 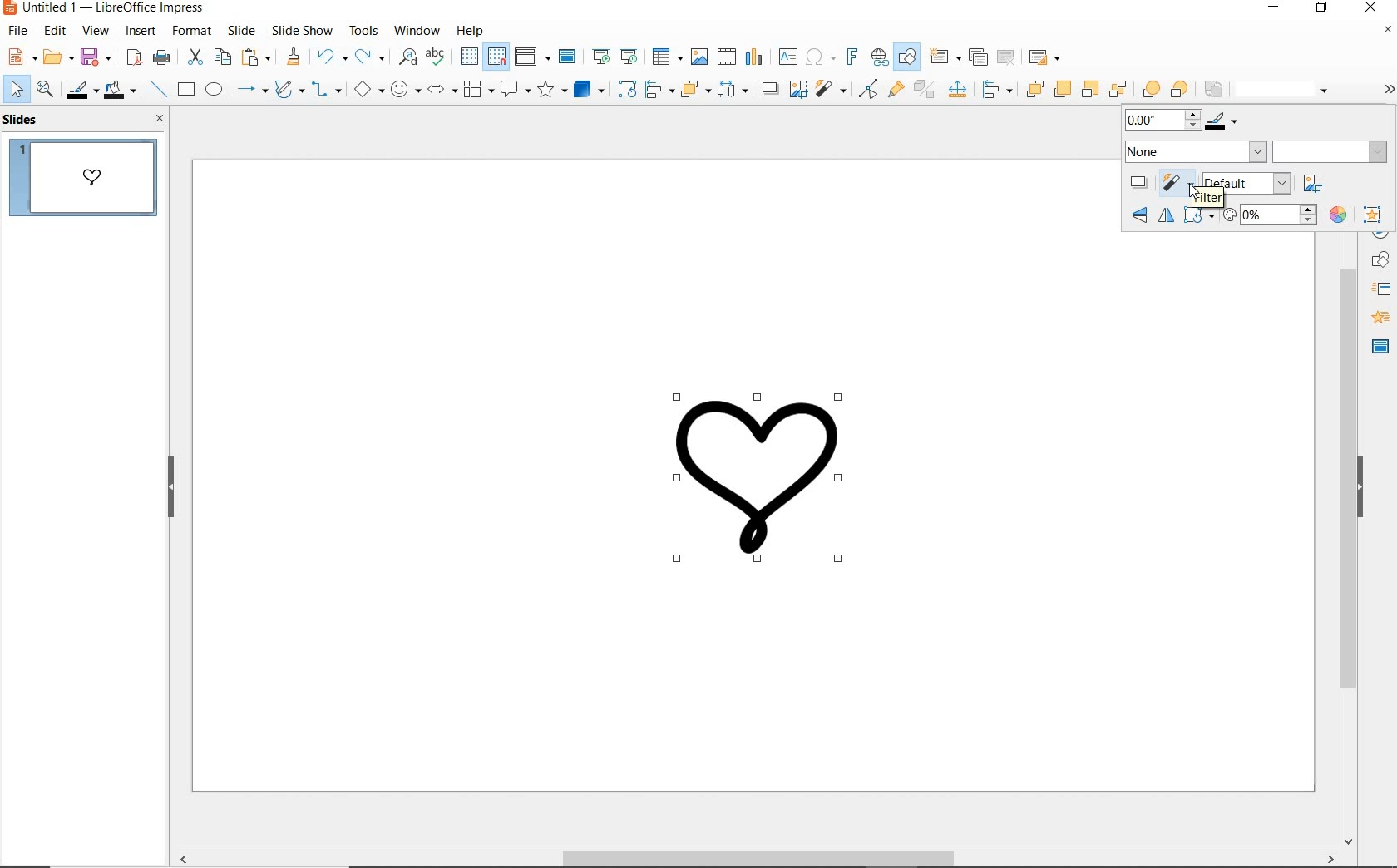 I want to click on shadow, so click(x=1139, y=183).